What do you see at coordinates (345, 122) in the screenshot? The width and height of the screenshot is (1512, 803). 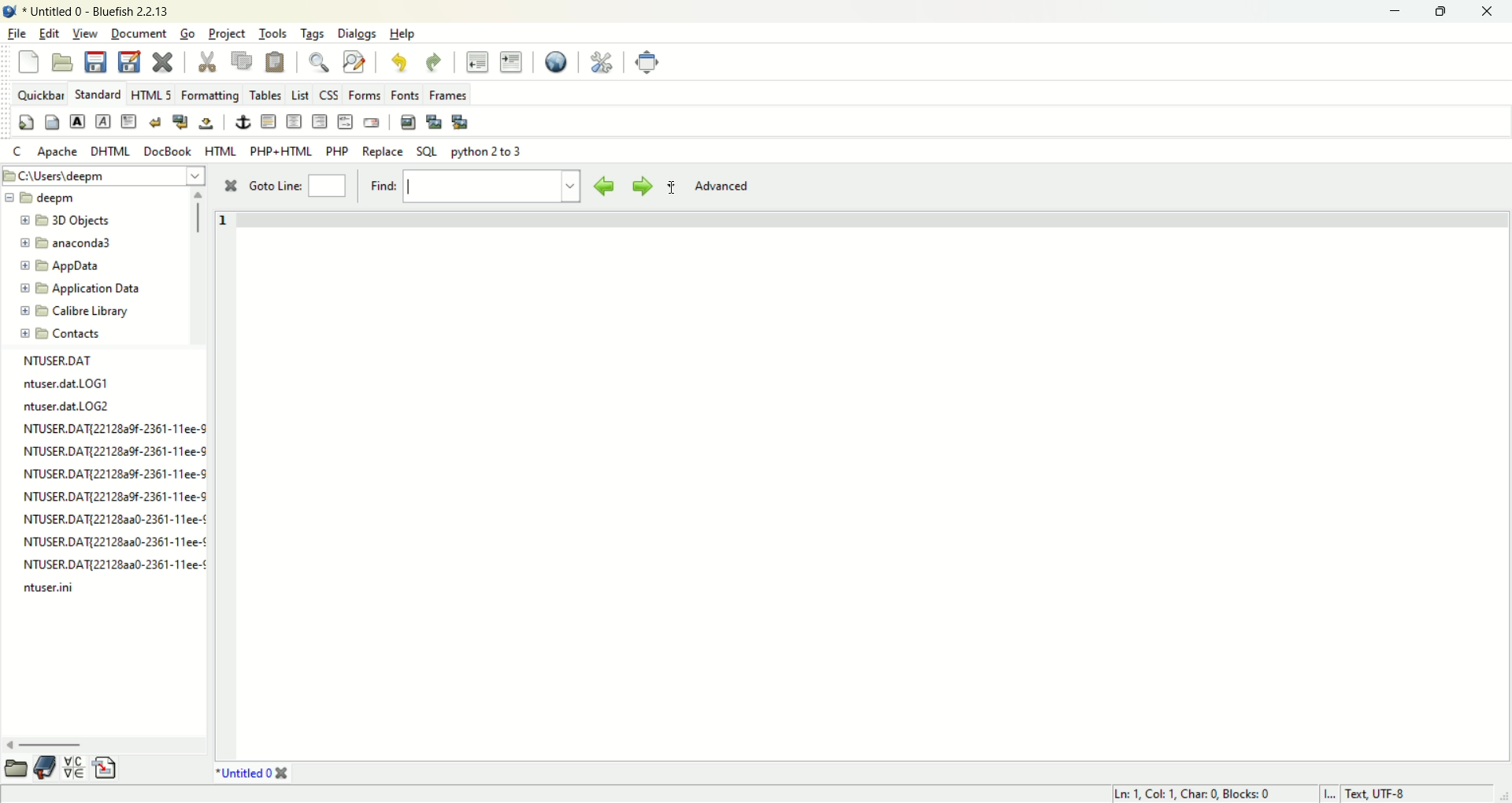 I see `HTML comment` at bounding box center [345, 122].